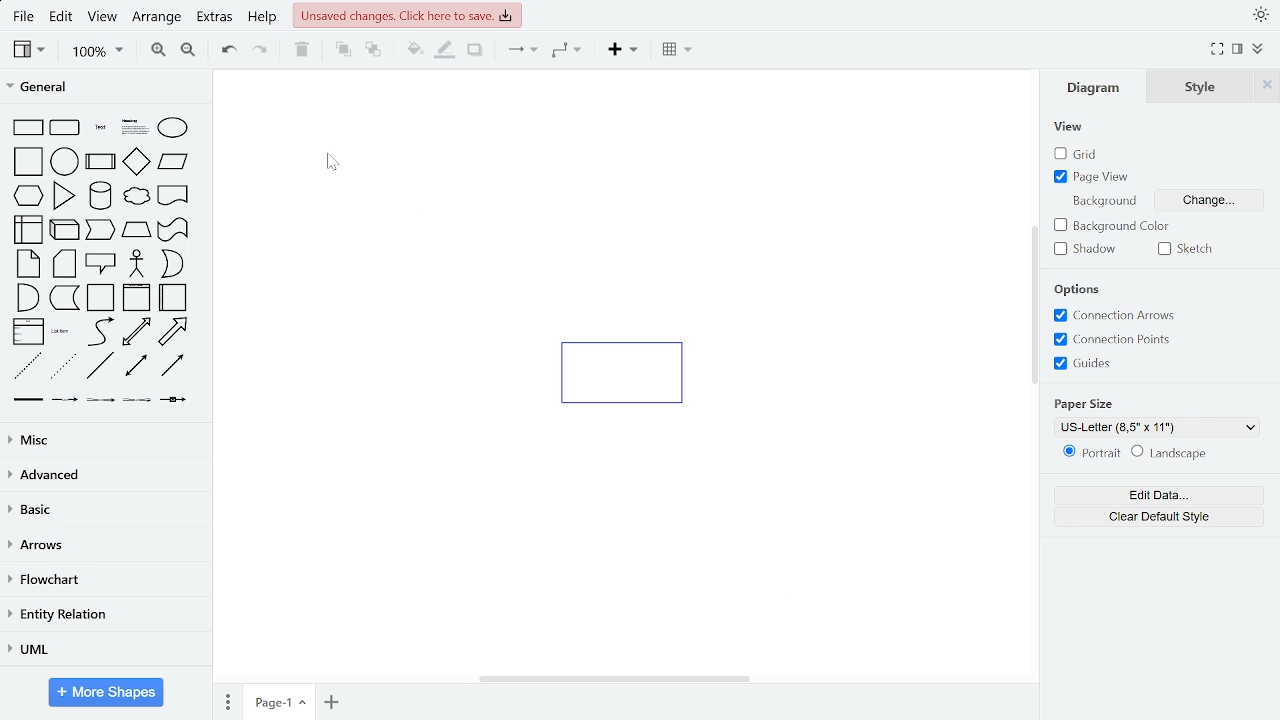 This screenshot has height=720, width=1280. I want to click on style, so click(1204, 86).